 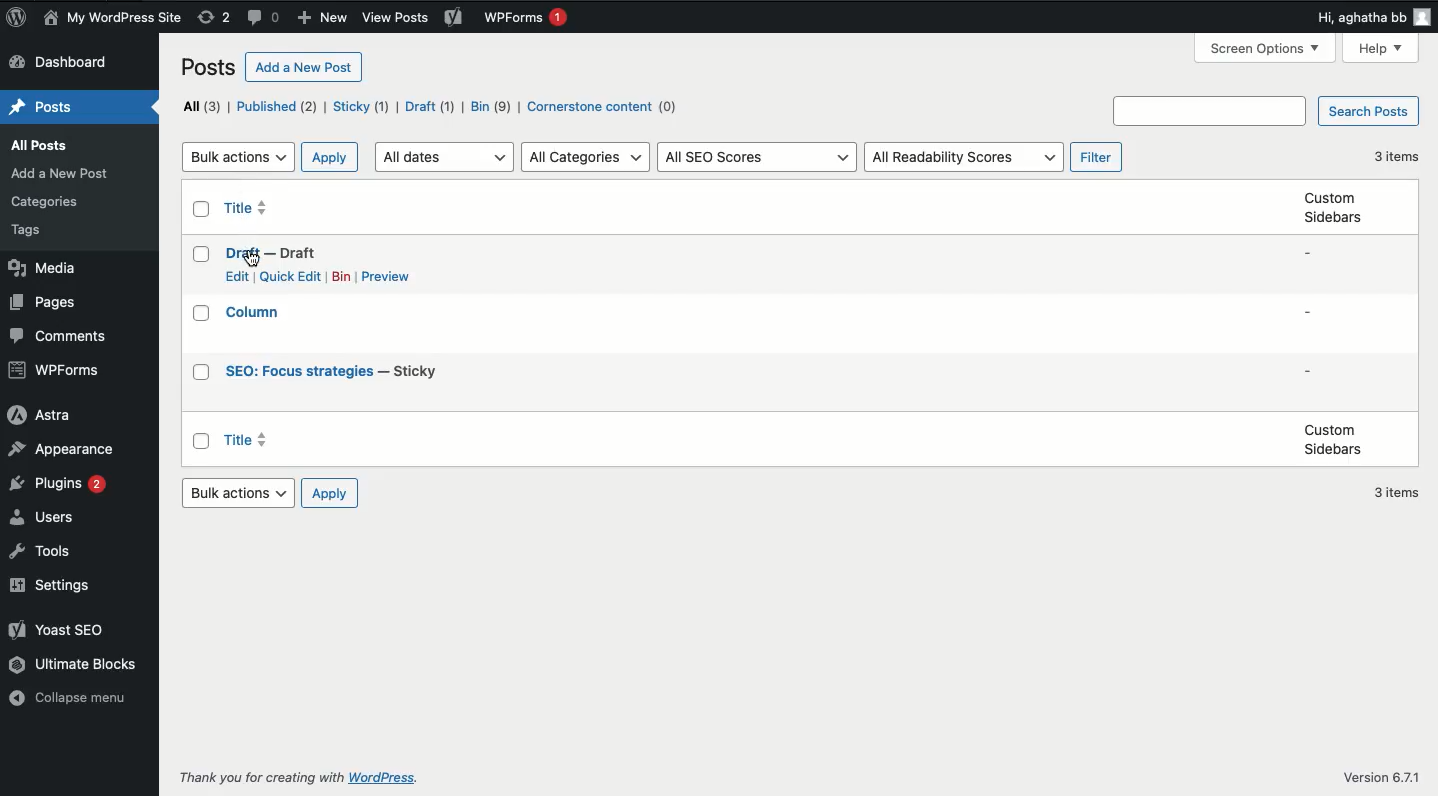 I want to click on Title, so click(x=336, y=371).